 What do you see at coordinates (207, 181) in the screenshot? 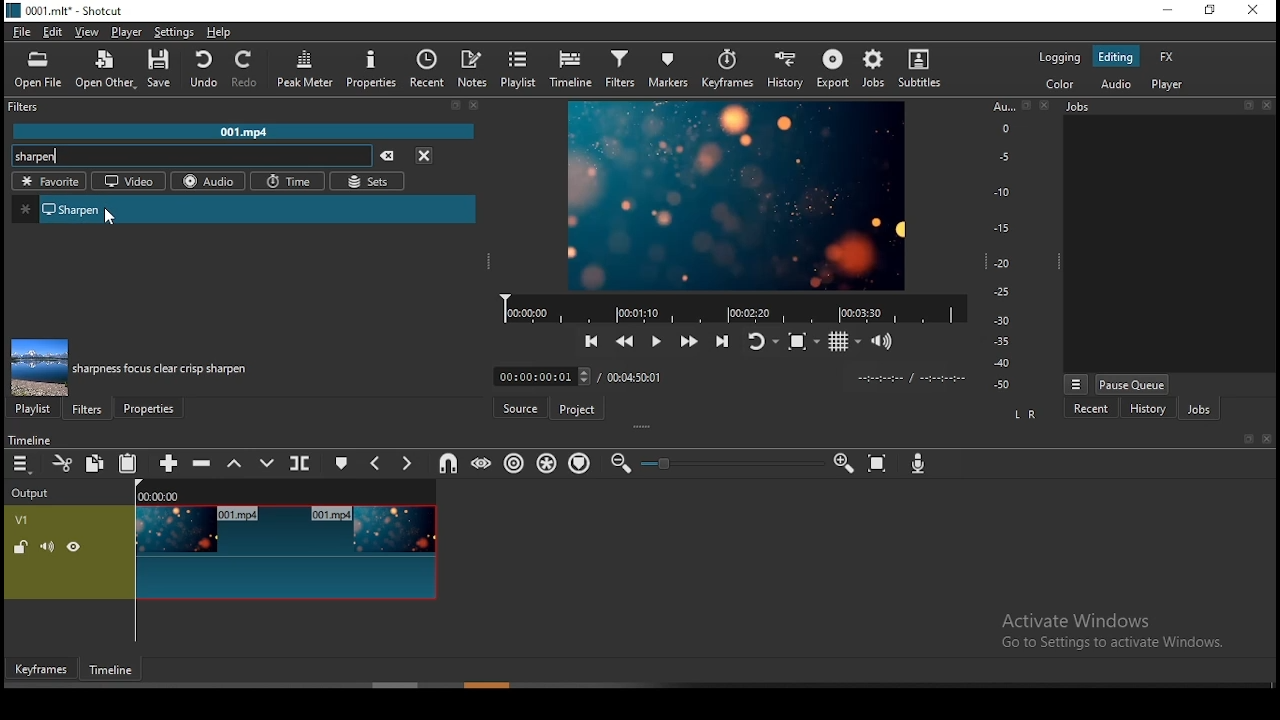
I see `audio` at bounding box center [207, 181].